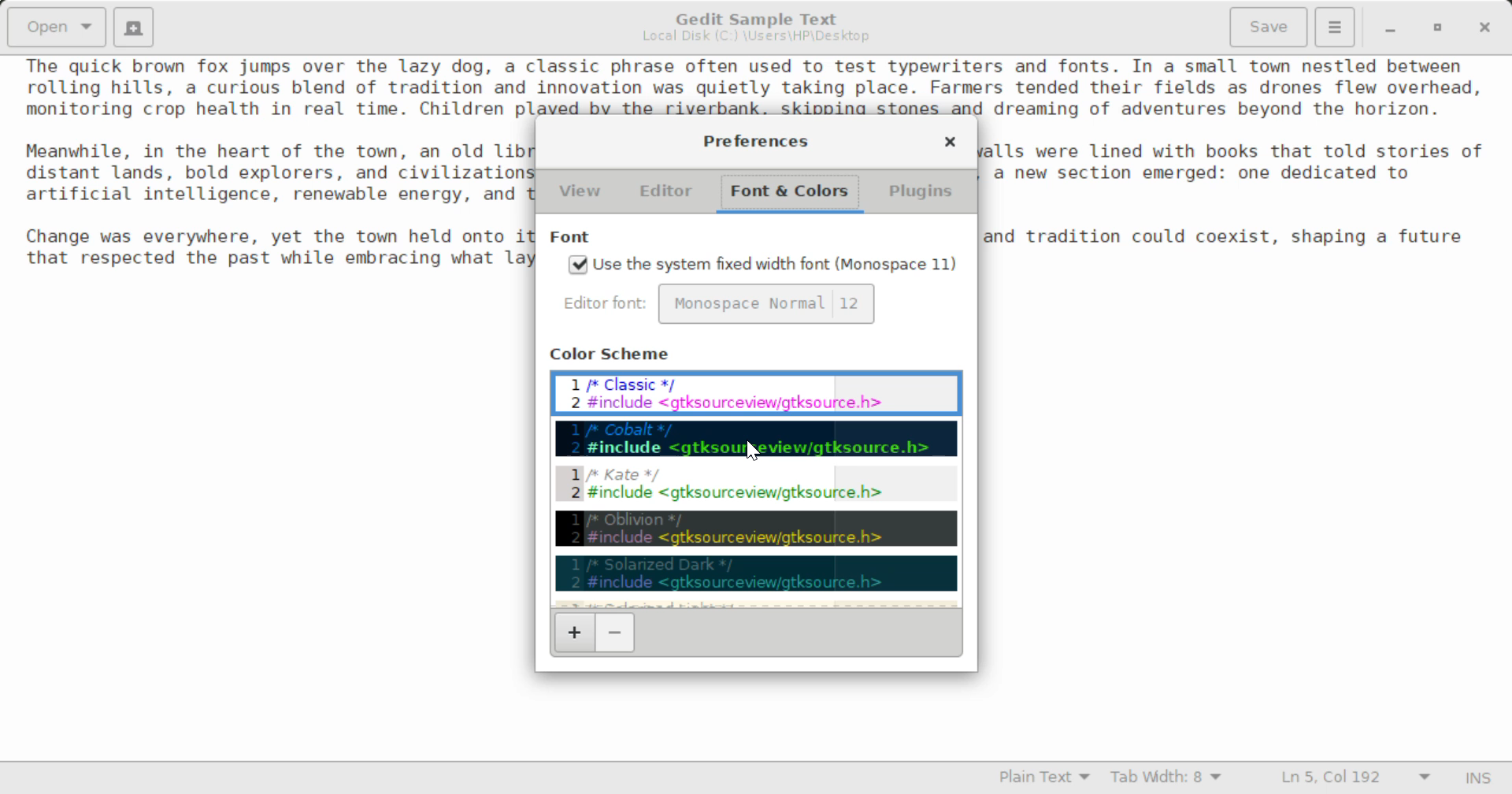 This screenshot has height=794, width=1512. Describe the element at coordinates (755, 487) in the screenshot. I see `Kate Scheme` at that location.